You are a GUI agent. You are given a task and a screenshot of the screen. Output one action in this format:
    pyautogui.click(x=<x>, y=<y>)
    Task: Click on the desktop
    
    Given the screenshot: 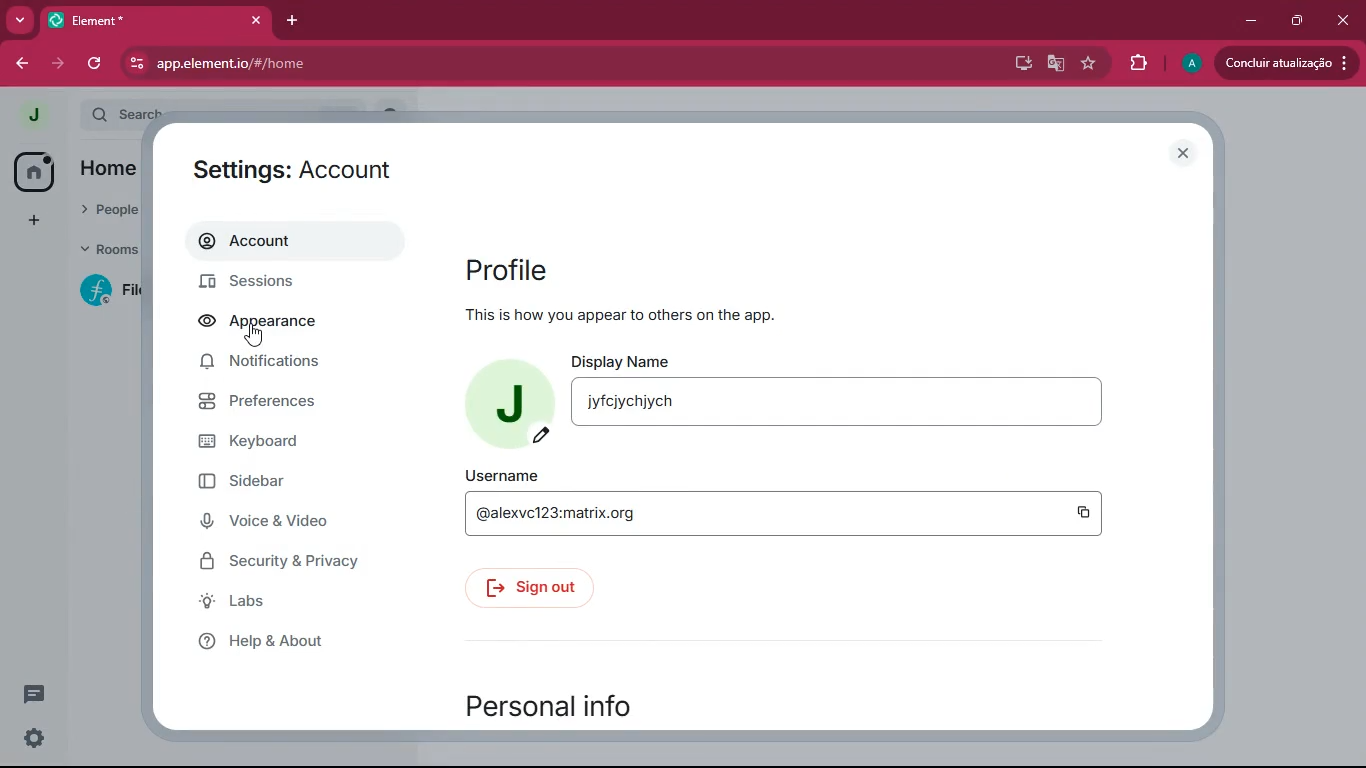 What is the action you would take?
    pyautogui.click(x=1019, y=62)
    